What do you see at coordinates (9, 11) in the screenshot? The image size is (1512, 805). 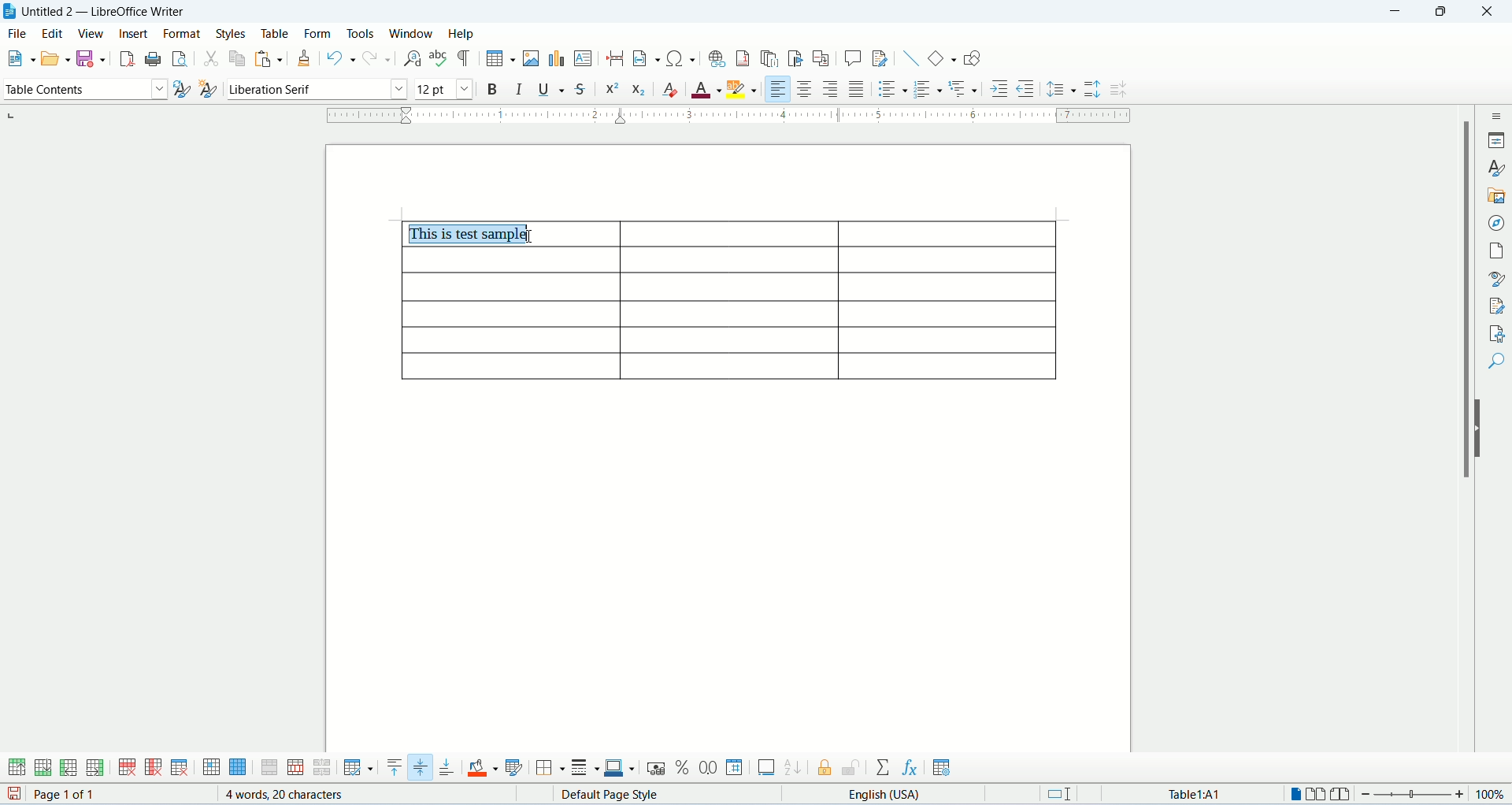 I see `appliction icon` at bounding box center [9, 11].